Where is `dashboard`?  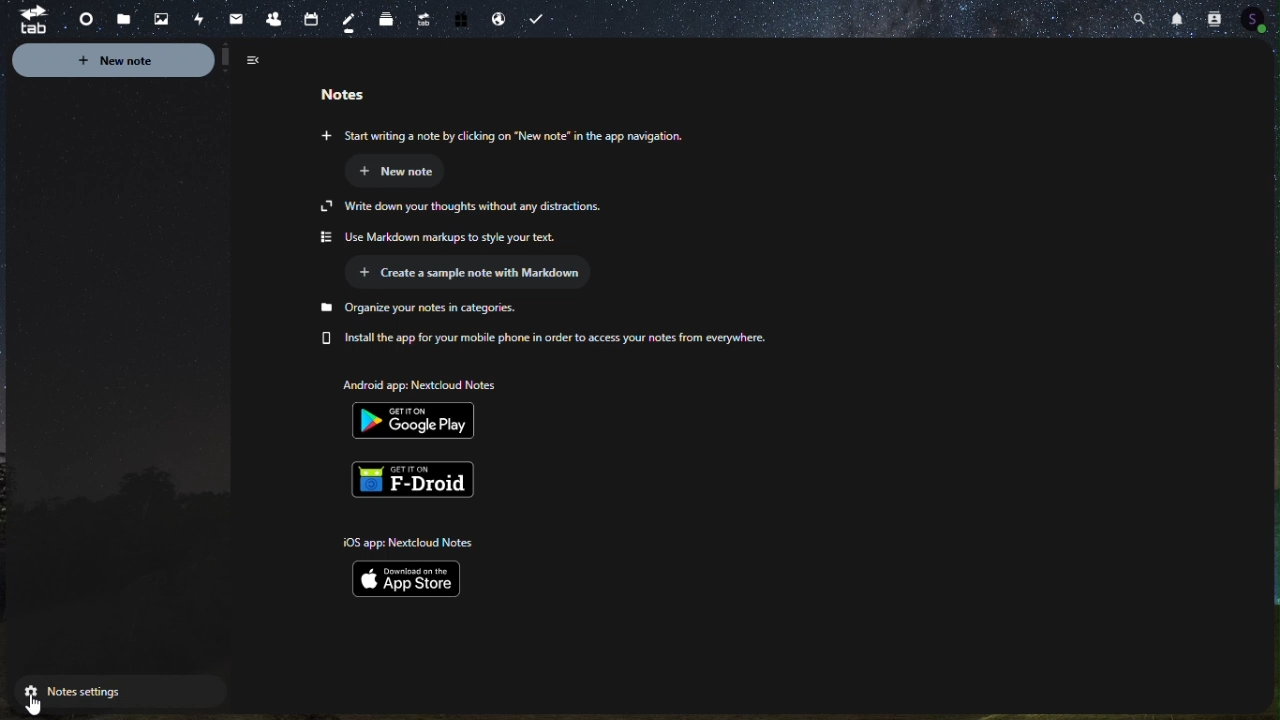
dashboard is located at coordinates (81, 19).